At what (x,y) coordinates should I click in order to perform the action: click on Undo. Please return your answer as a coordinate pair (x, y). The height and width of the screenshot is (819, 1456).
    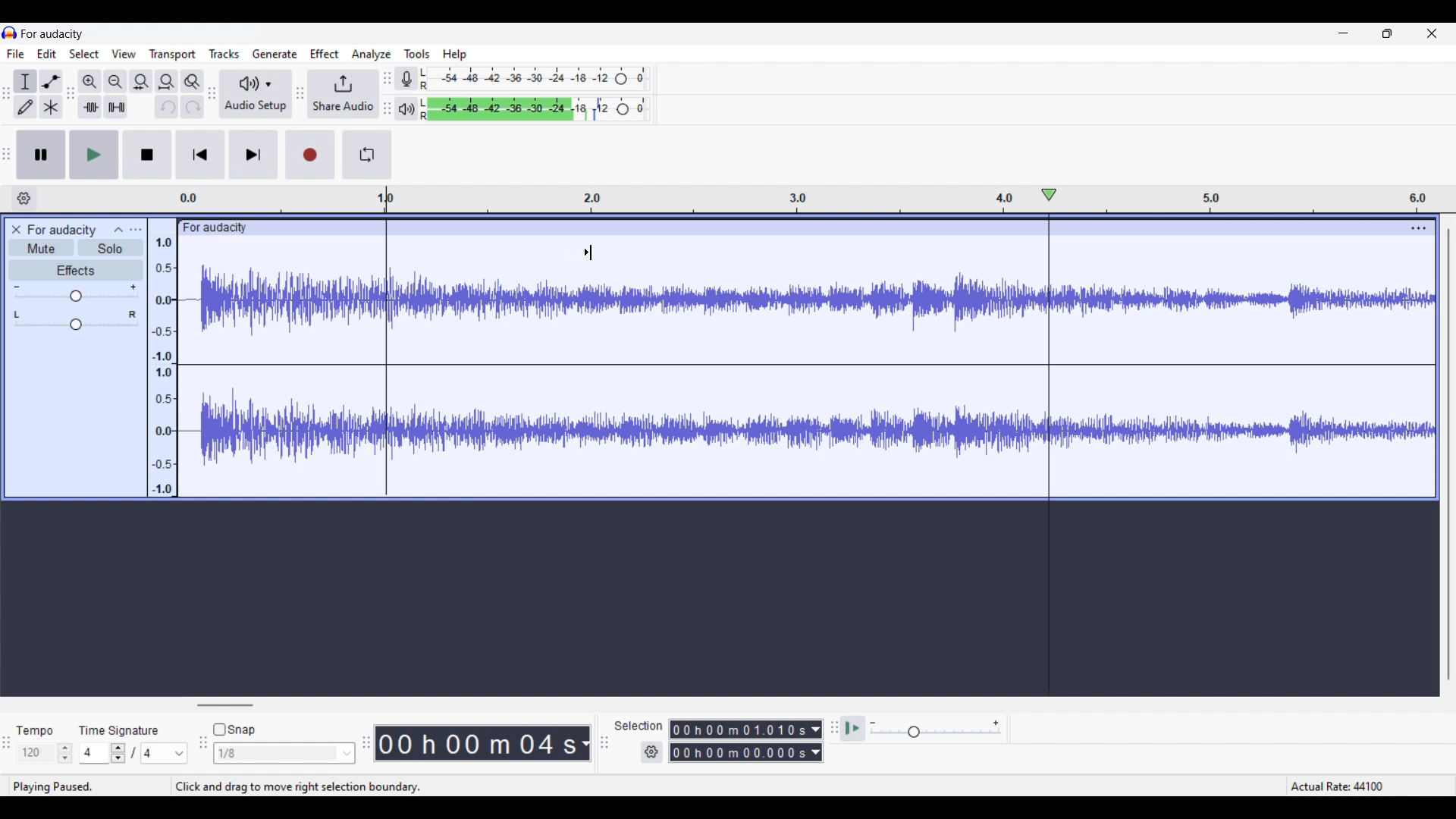
    Looking at the image, I should click on (167, 106).